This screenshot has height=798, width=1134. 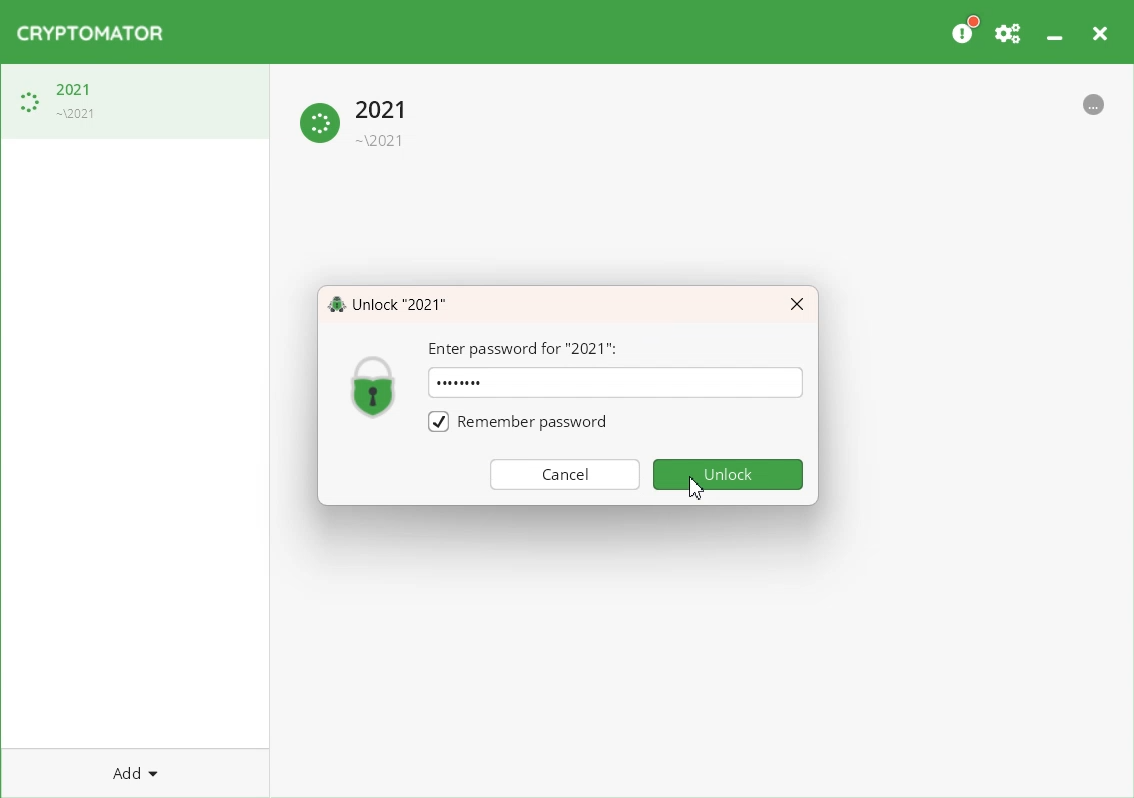 I want to click on Loading, so click(x=357, y=120).